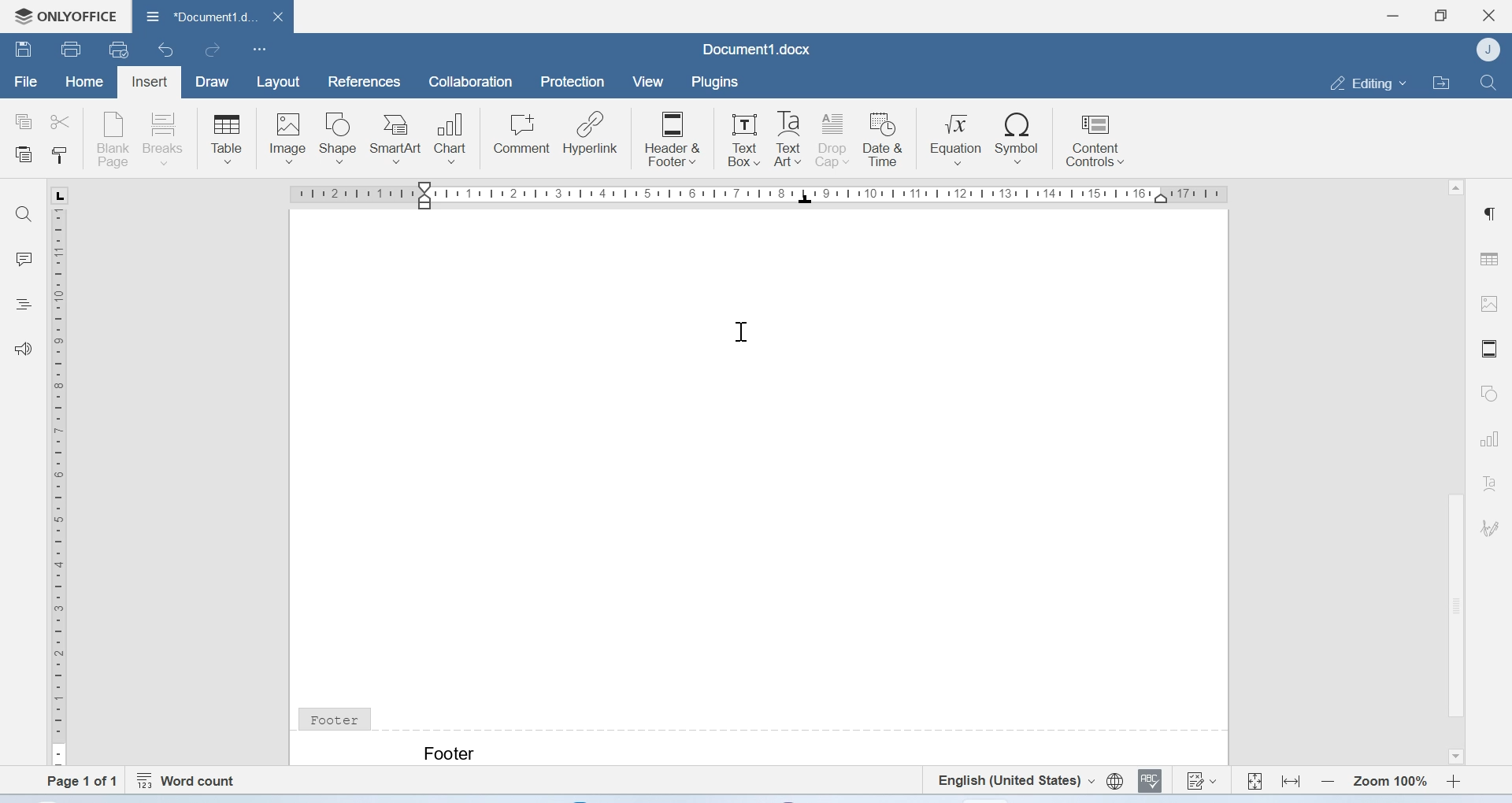  I want to click on Editing, so click(1364, 82).